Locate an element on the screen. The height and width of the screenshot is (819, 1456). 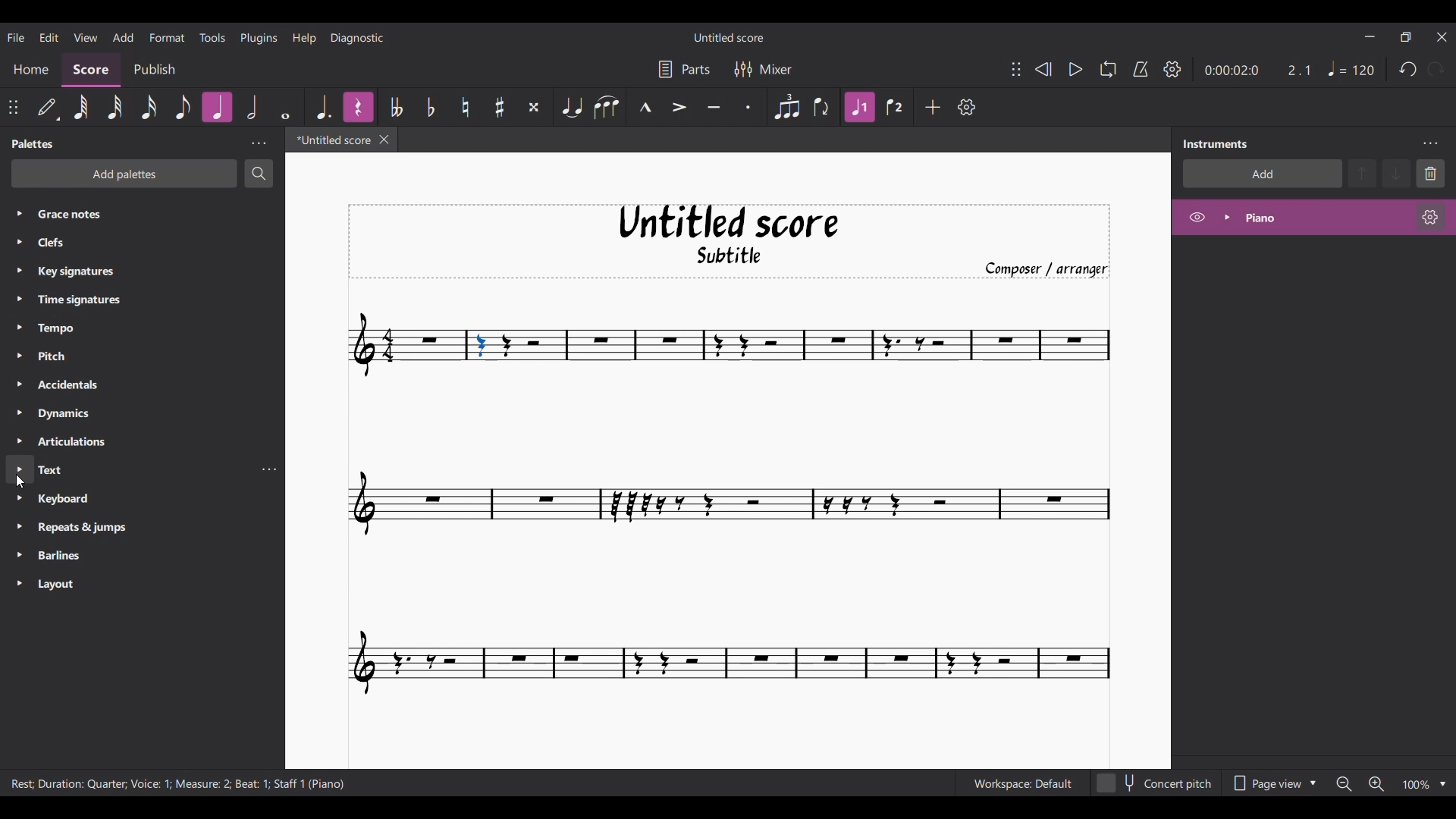
Minimize is located at coordinates (1370, 36).